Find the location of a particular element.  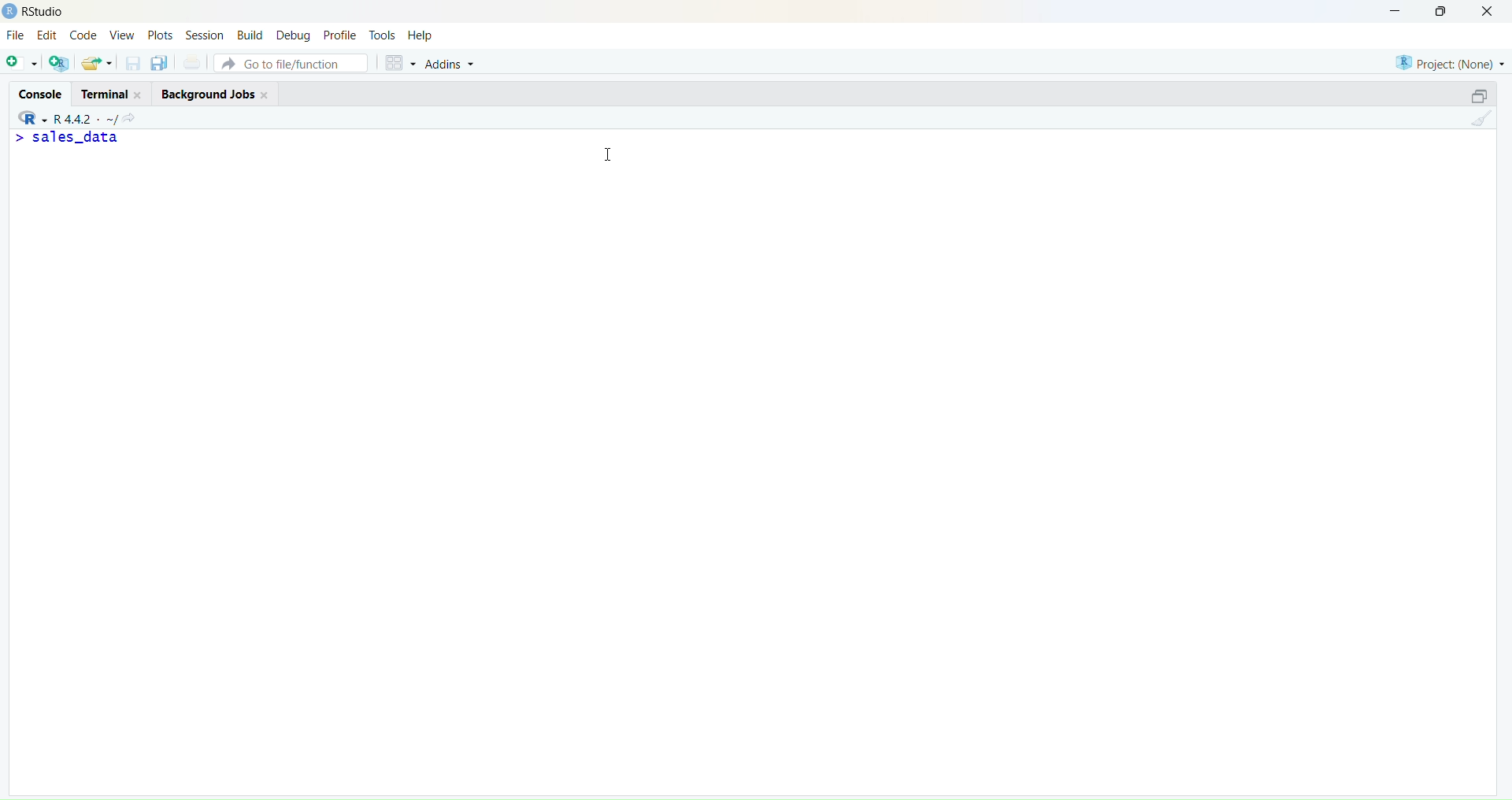

print is located at coordinates (192, 65).